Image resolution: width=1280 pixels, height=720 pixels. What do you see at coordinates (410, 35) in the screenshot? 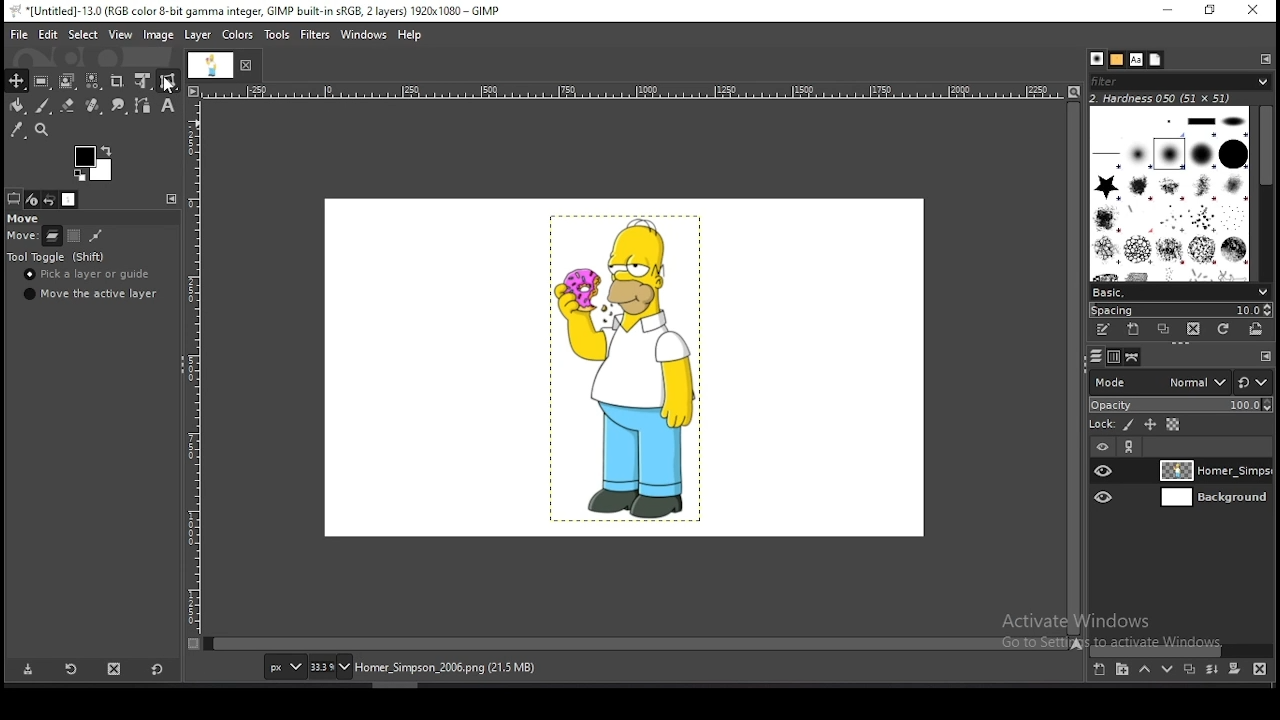
I see `help` at bounding box center [410, 35].